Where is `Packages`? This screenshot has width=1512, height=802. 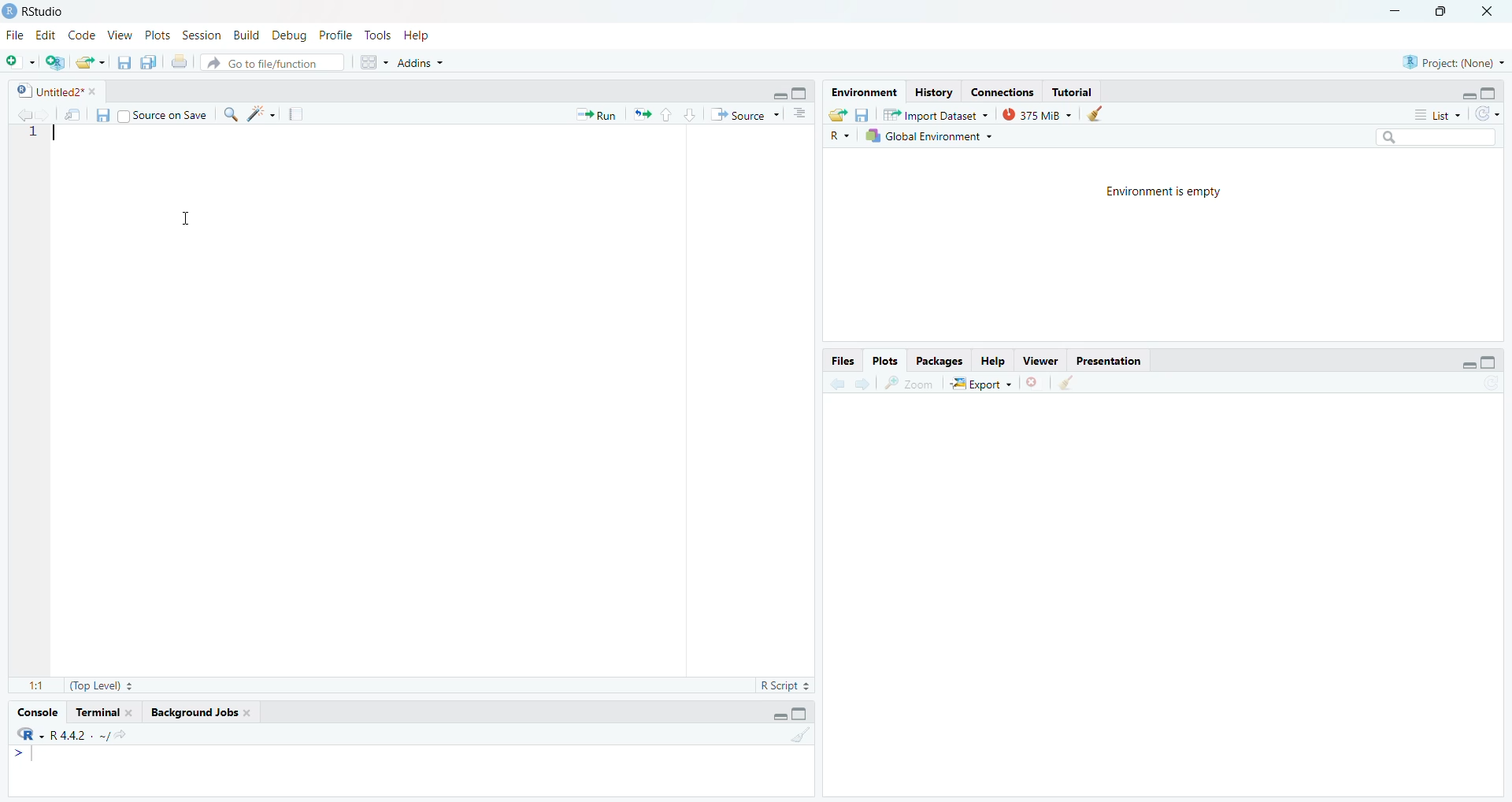 Packages is located at coordinates (939, 358).